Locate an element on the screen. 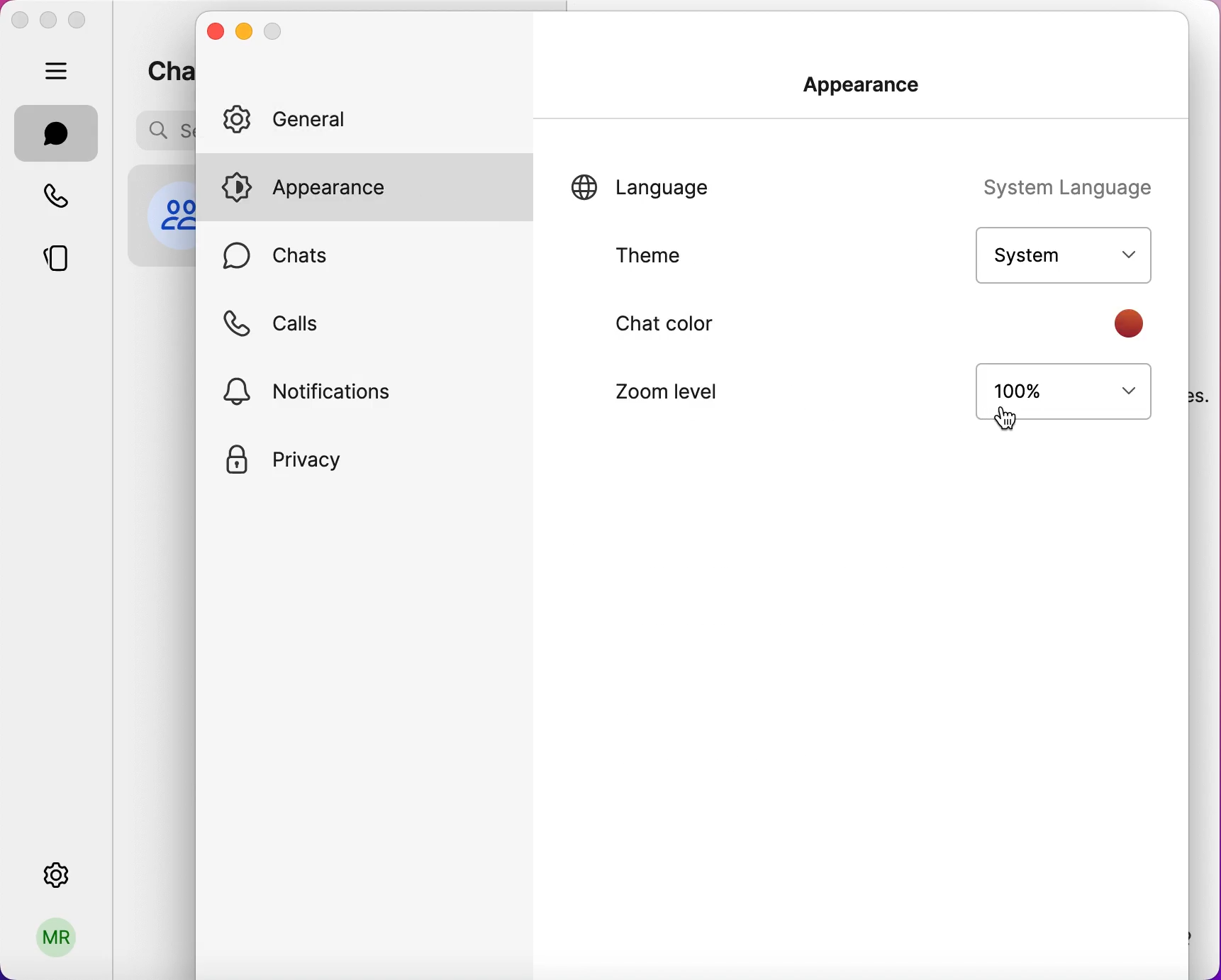 The image size is (1221, 980). system is located at coordinates (1054, 255).